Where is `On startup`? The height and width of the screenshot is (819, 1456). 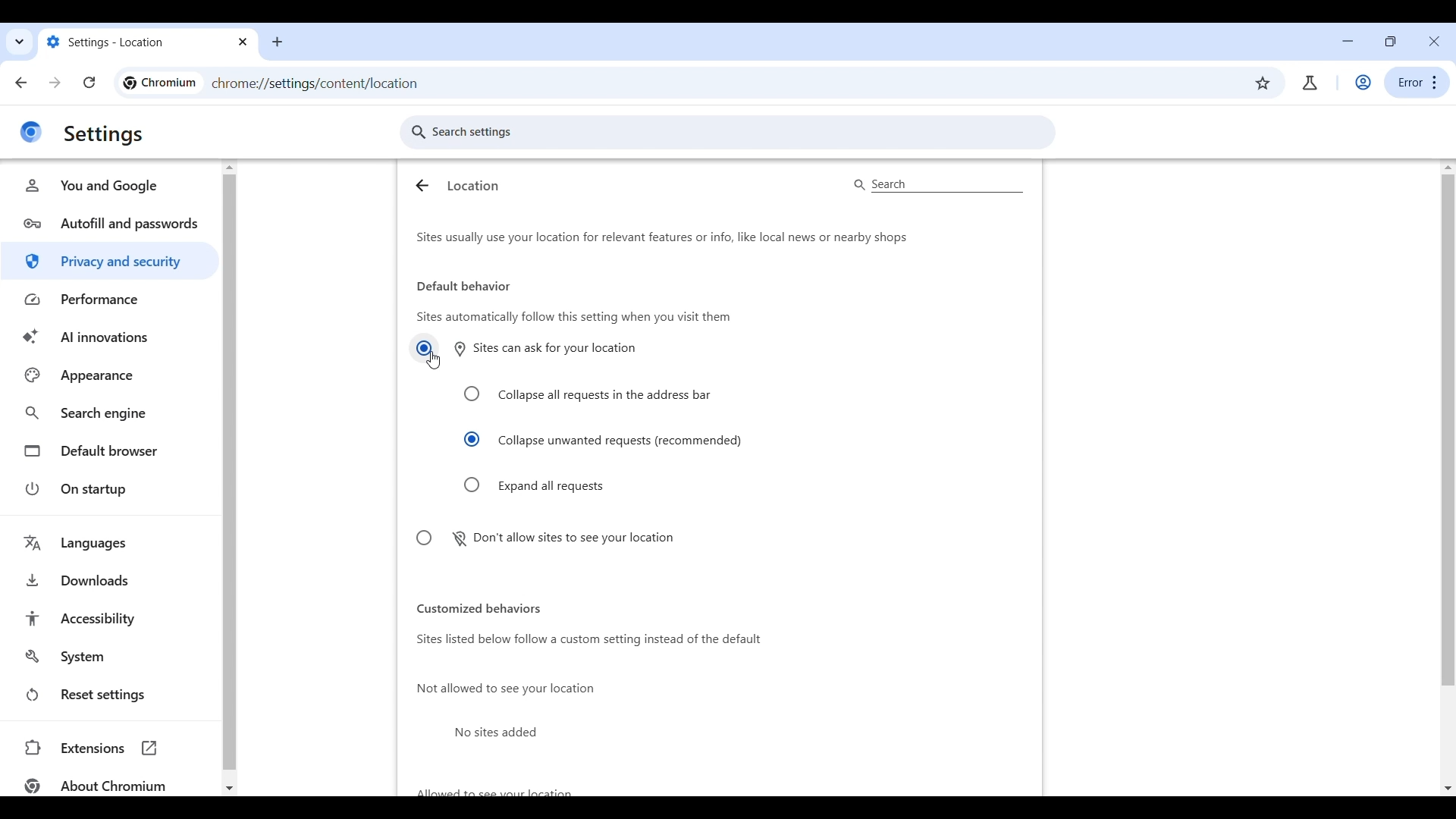 On startup is located at coordinates (108, 488).